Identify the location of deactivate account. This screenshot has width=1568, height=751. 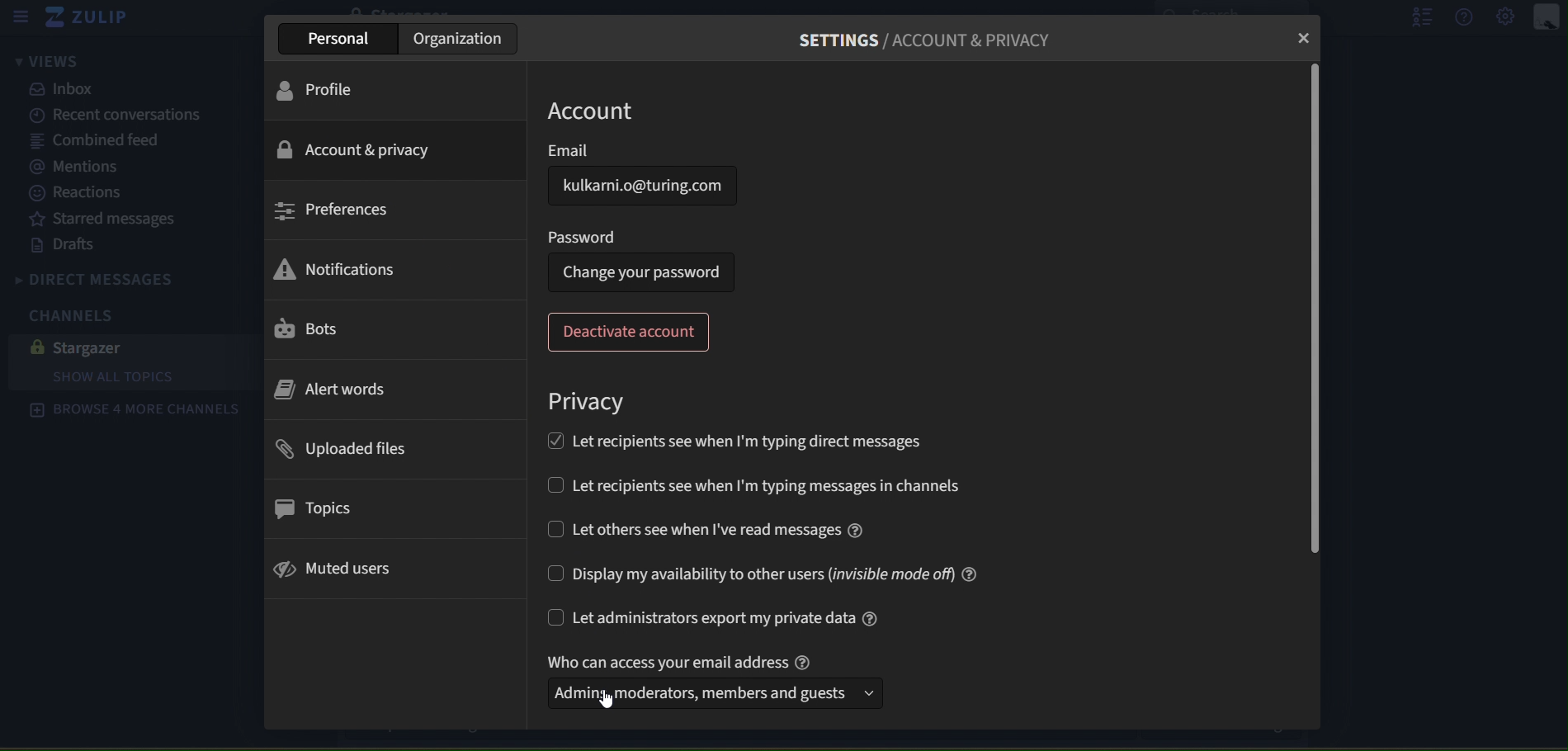
(631, 332).